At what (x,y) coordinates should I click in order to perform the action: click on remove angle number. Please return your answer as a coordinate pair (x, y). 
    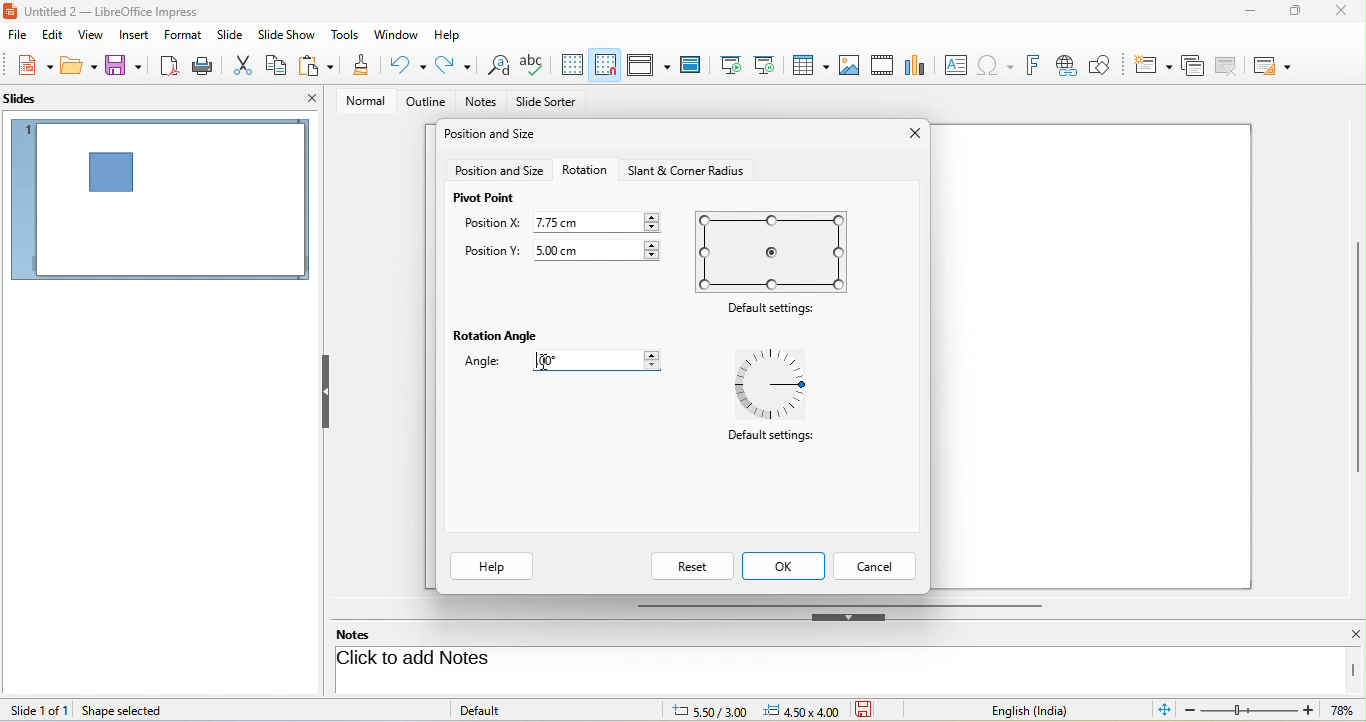
    Looking at the image, I should click on (598, 362).